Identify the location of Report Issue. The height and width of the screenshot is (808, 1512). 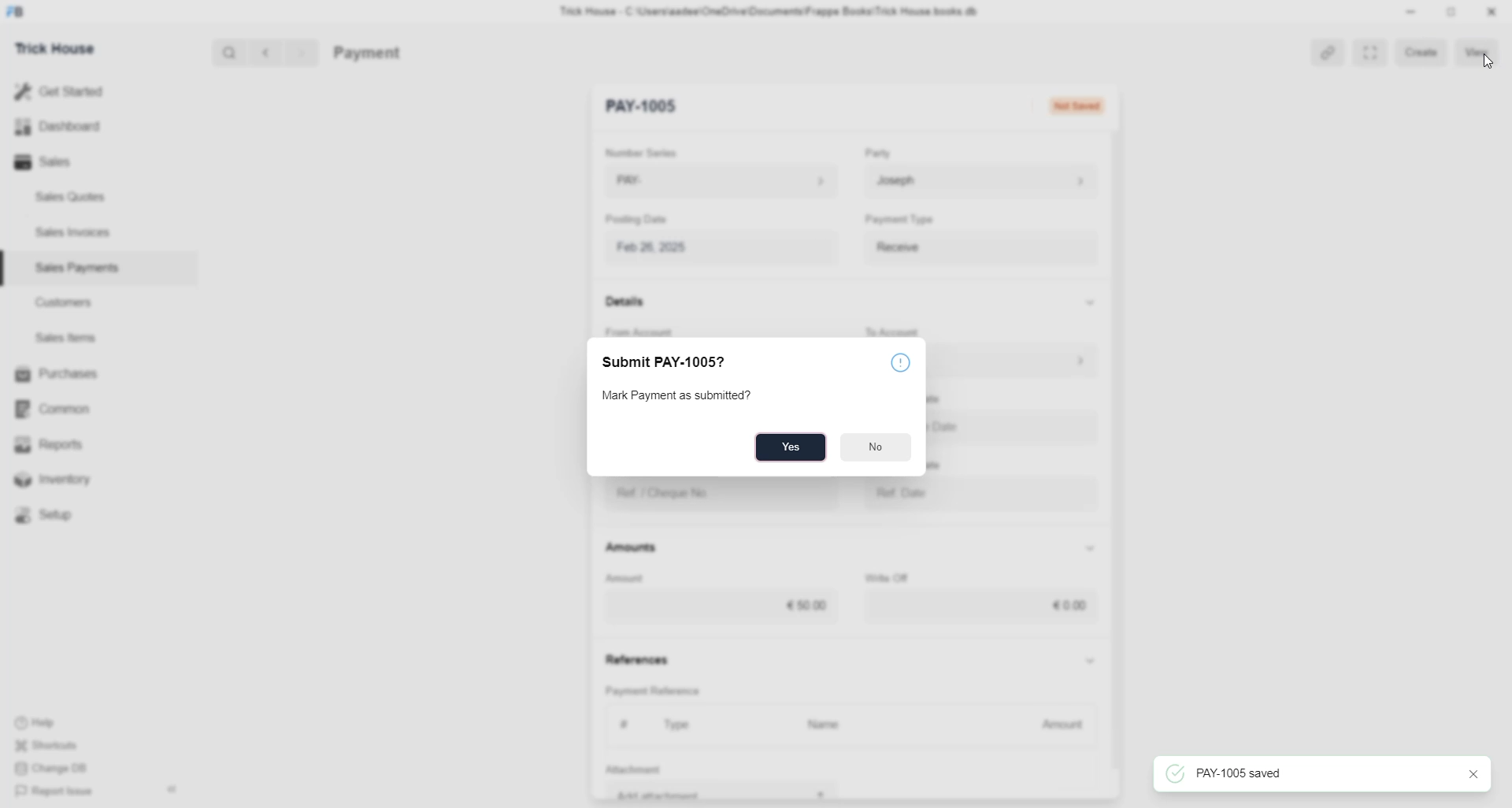
(57, 791).